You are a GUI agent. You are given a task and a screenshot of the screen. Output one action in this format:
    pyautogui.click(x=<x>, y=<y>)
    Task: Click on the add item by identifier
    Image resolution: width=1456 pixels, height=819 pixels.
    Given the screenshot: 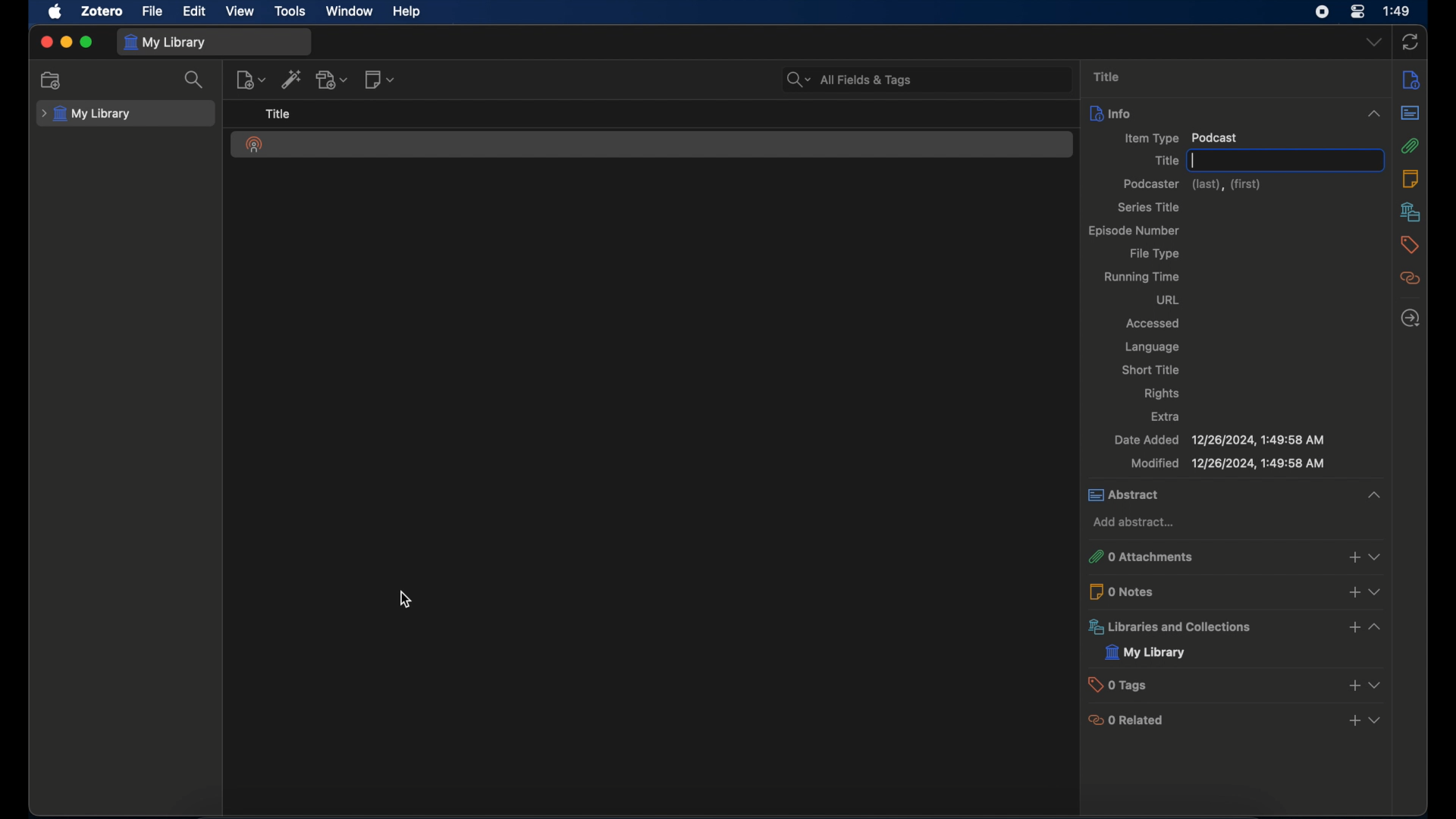 What is the action you would take?
    pyautogui.click(x=292, y=79)
    